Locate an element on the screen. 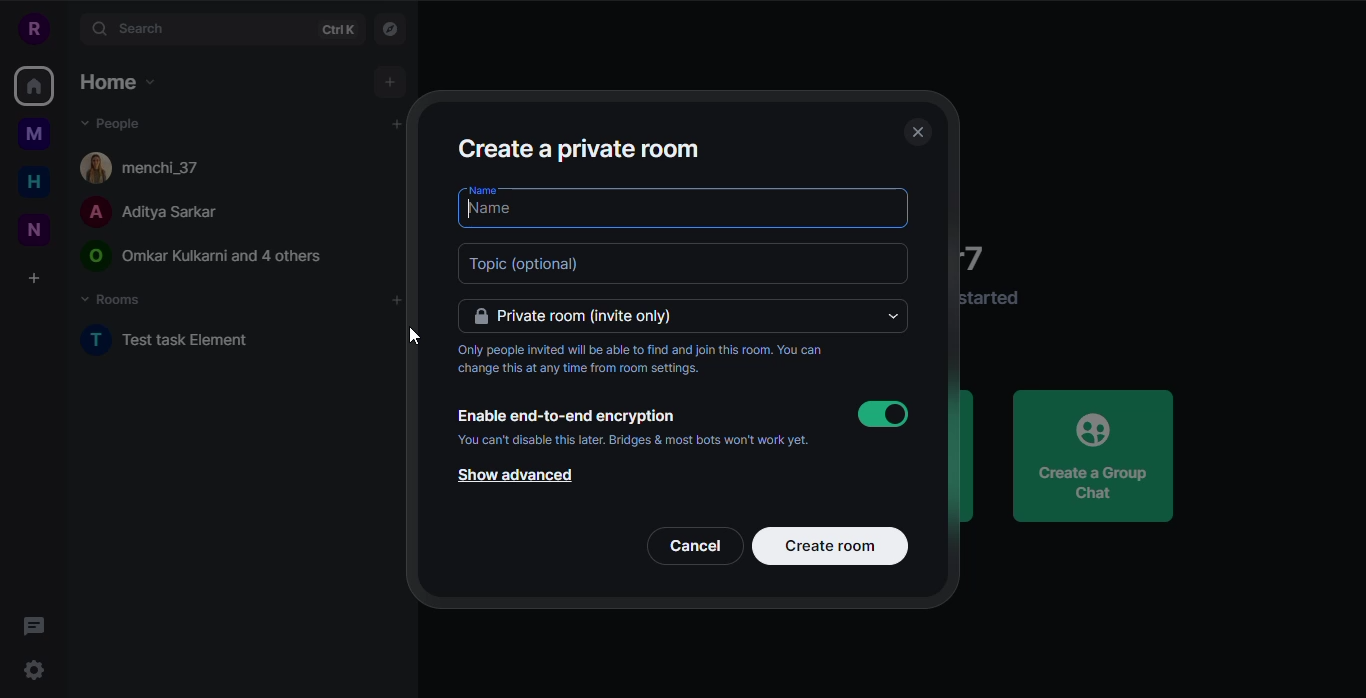  profile is located at coordinates (32, 27).